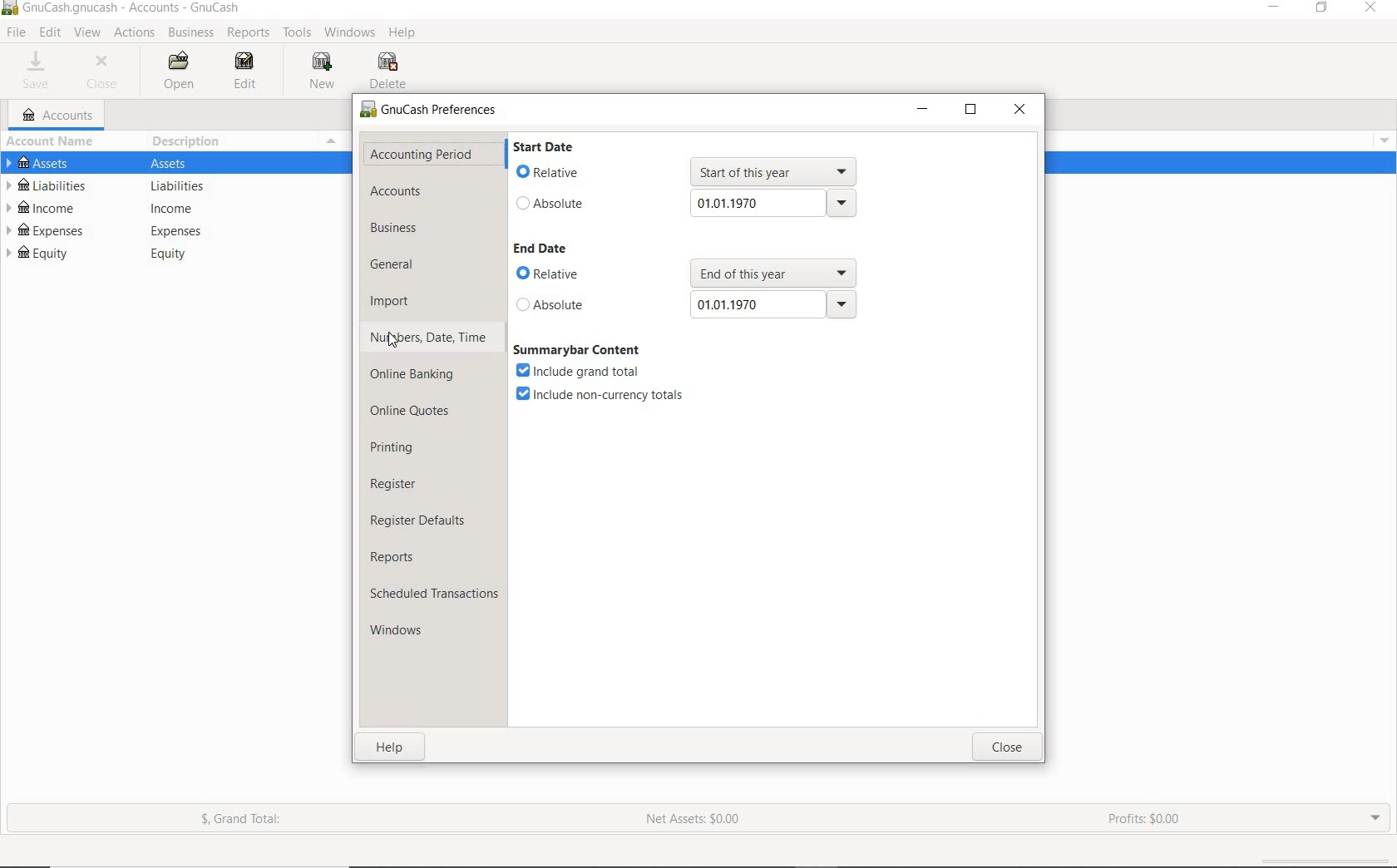 The image size is (1397, 868). I want to click on title, so click(132, 9).